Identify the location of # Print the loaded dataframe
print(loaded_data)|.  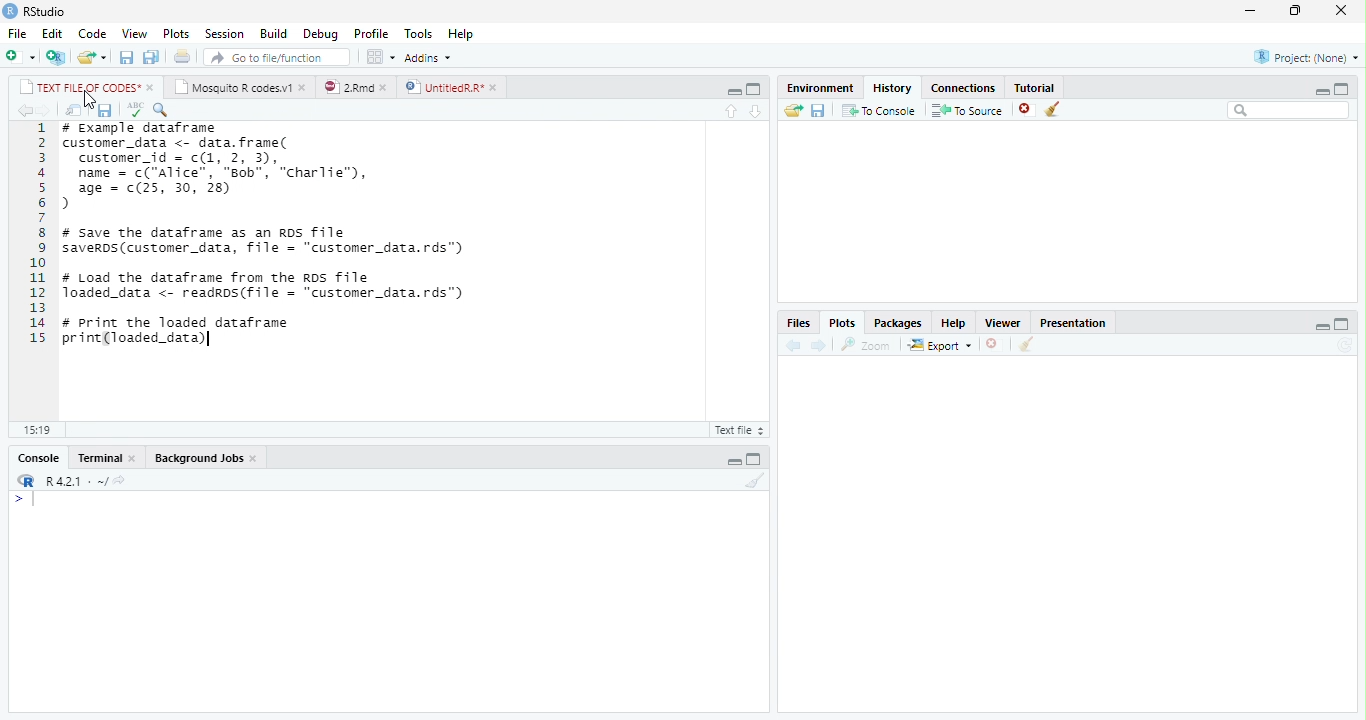
(189, 334).